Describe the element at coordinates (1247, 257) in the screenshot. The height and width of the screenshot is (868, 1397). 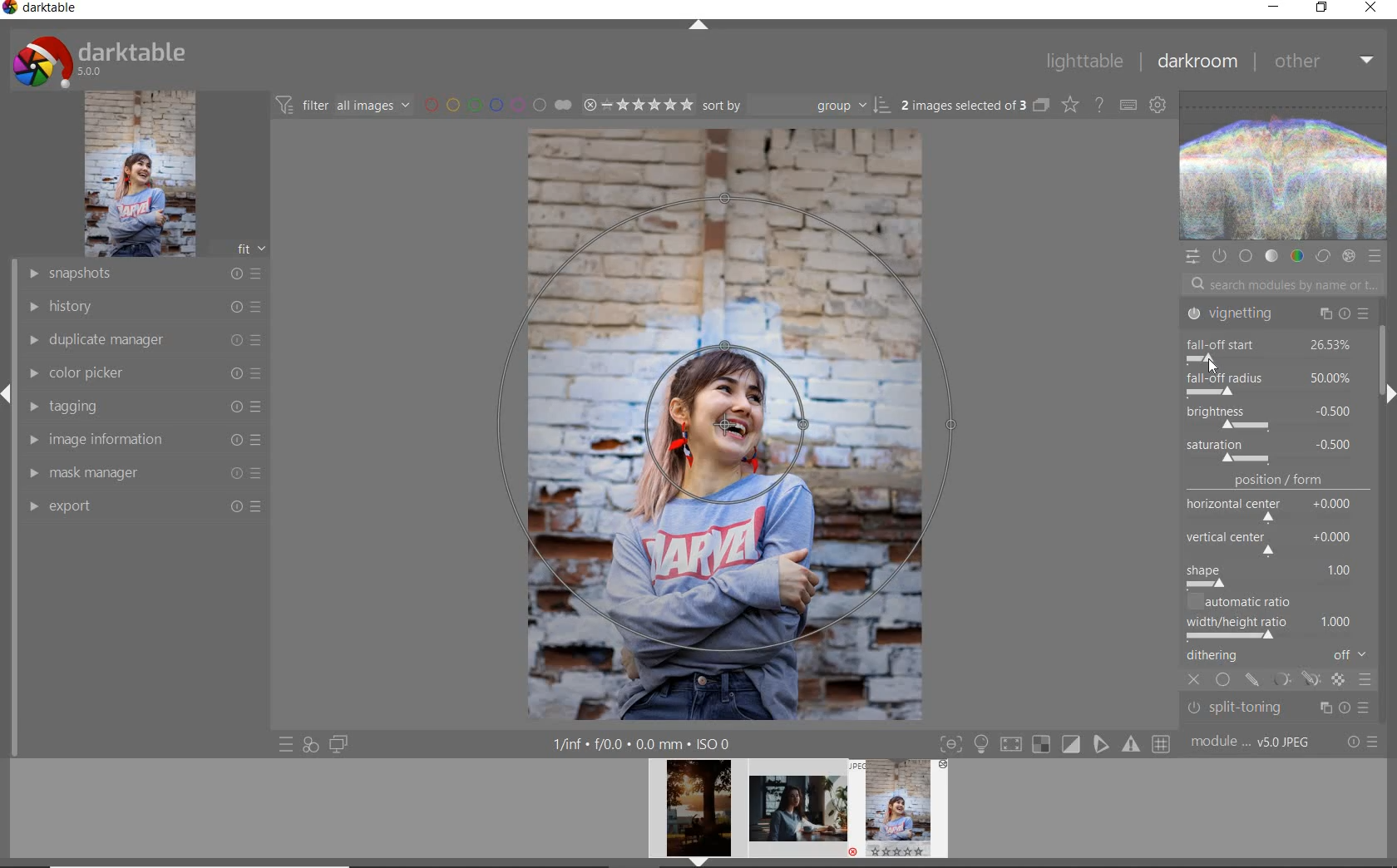
I see `base ` at that location.